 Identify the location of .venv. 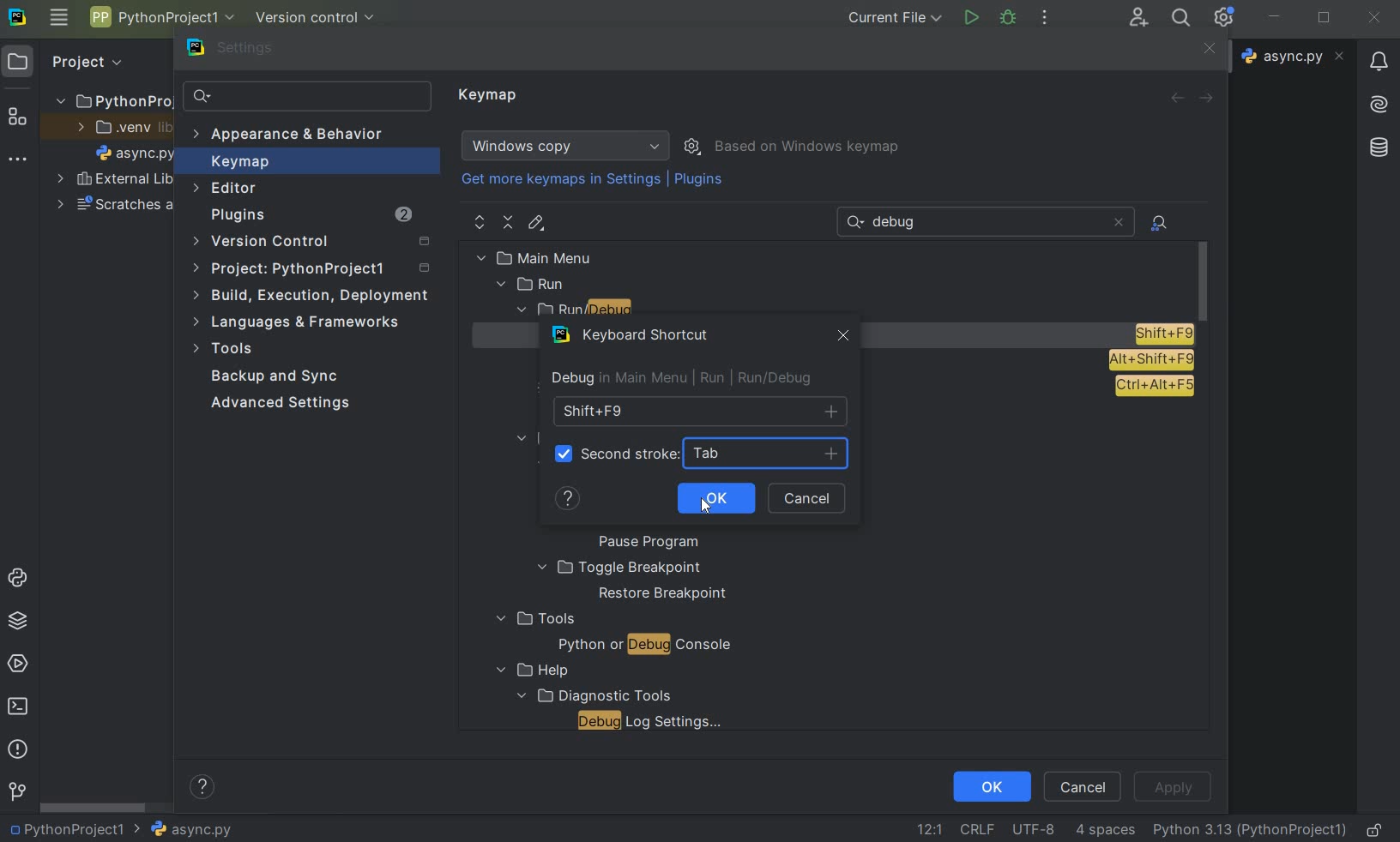
(124, 129).